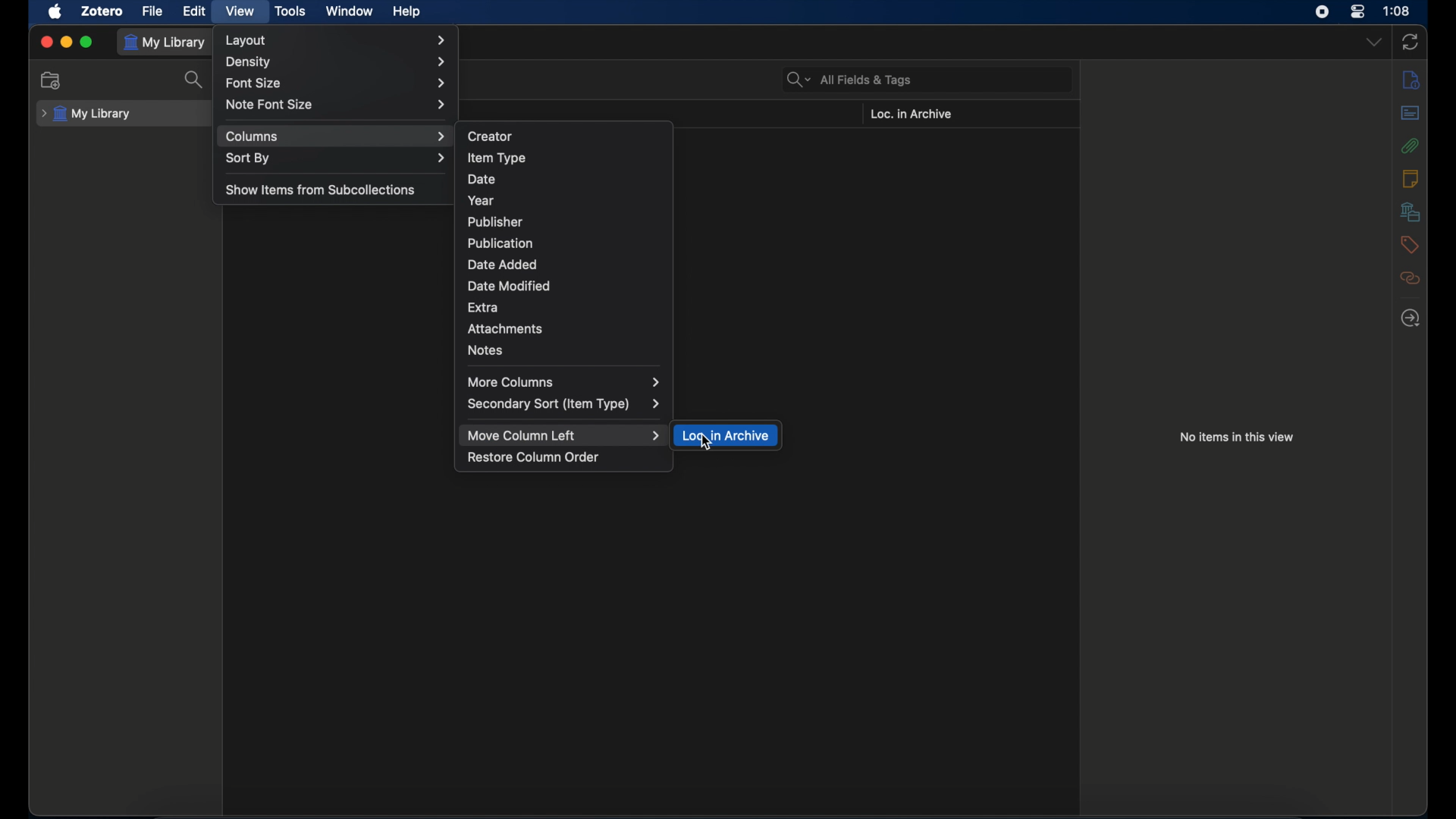 Image resolution: width=1456 pixels, height=819 pixels. I want to click on sort by, so click(335, 158).